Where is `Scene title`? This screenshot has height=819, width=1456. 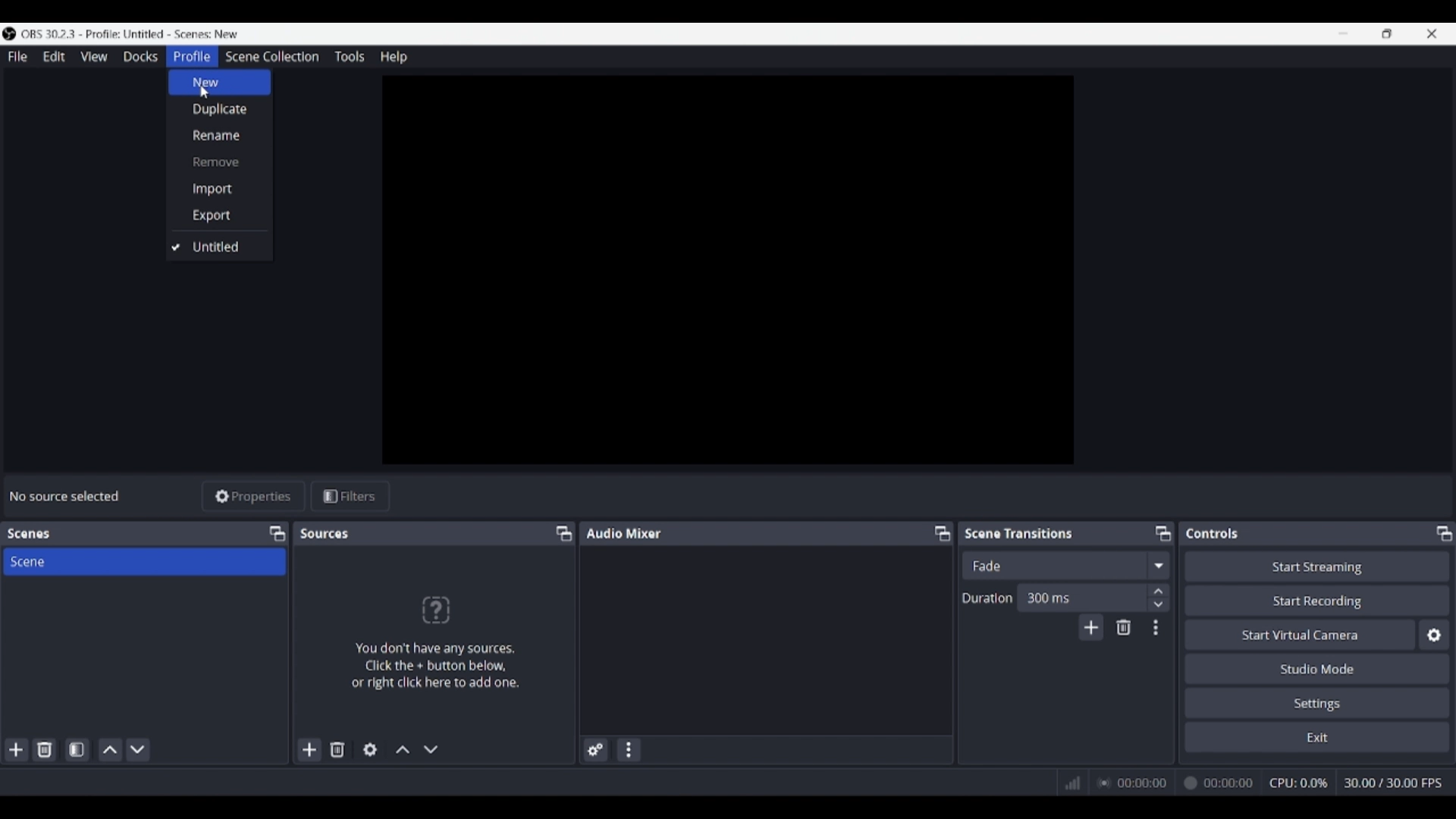
Scene title is located at coordinates (144, 561).